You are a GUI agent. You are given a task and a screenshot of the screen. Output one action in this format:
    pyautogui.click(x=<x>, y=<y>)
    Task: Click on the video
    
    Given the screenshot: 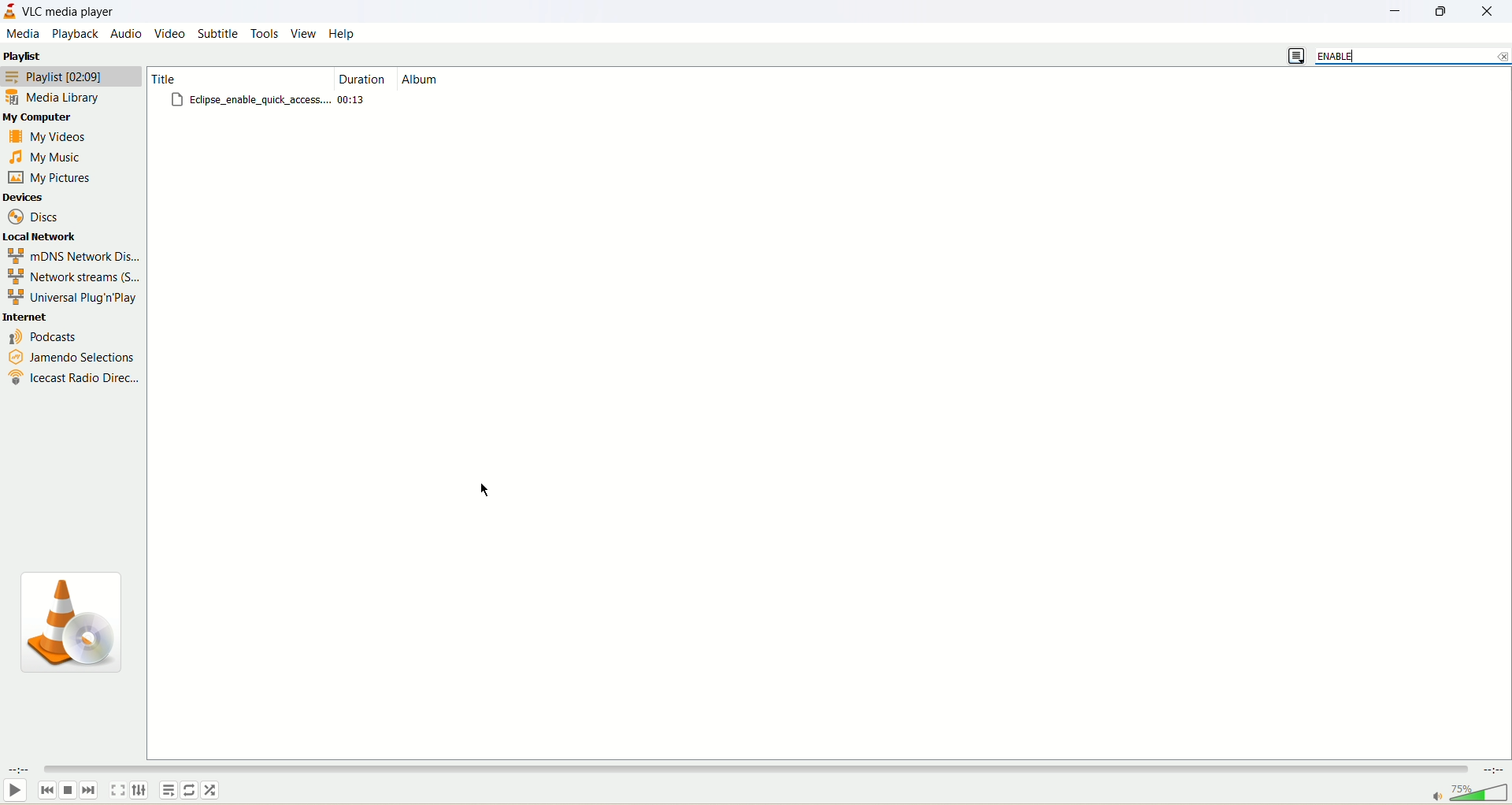 What is the action you would take?
    pyautogui.click(x=172, y=33)
    